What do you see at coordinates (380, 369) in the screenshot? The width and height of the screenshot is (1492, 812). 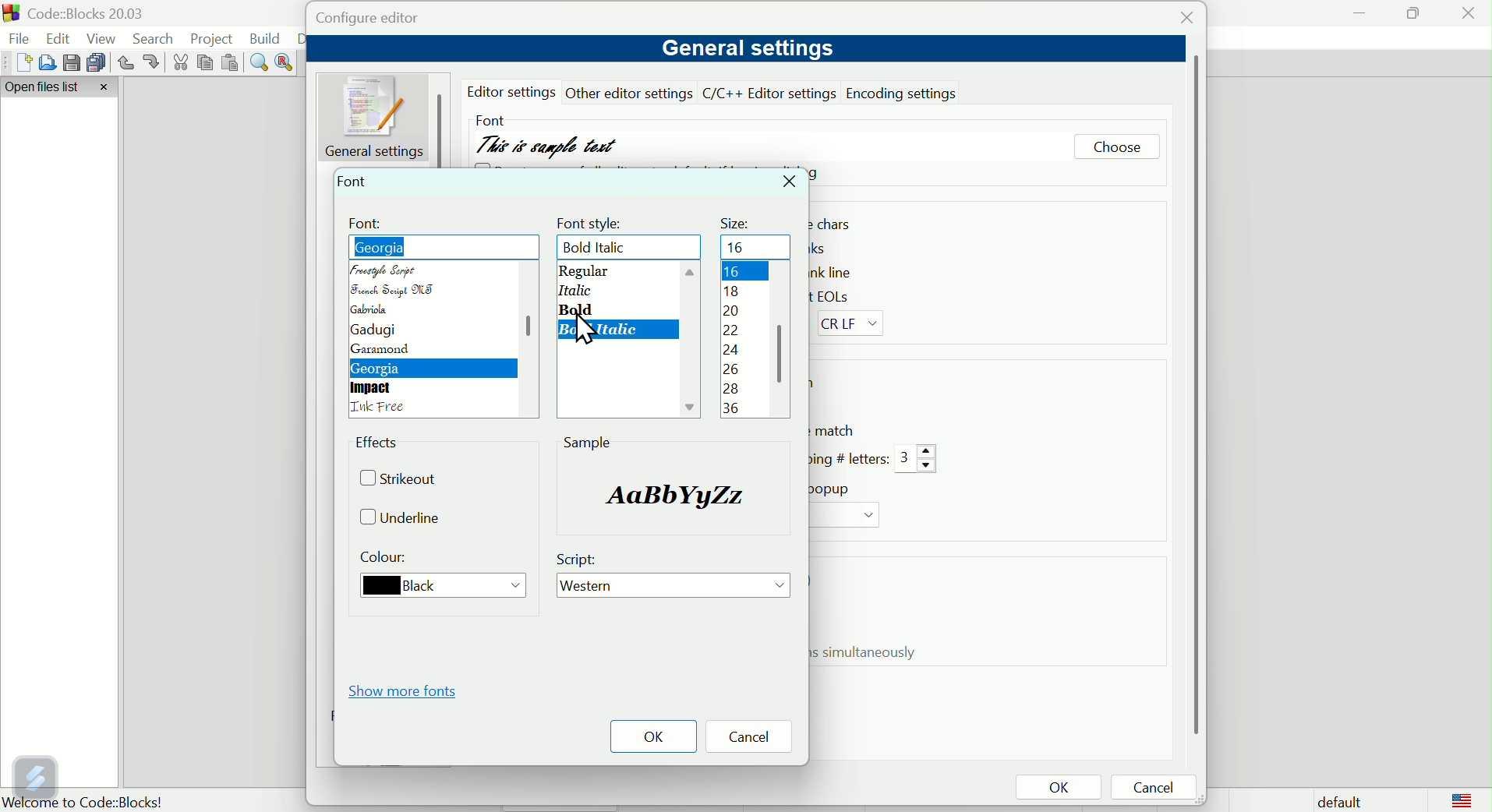 I see `Georgia` at bounding box center [380, 369].